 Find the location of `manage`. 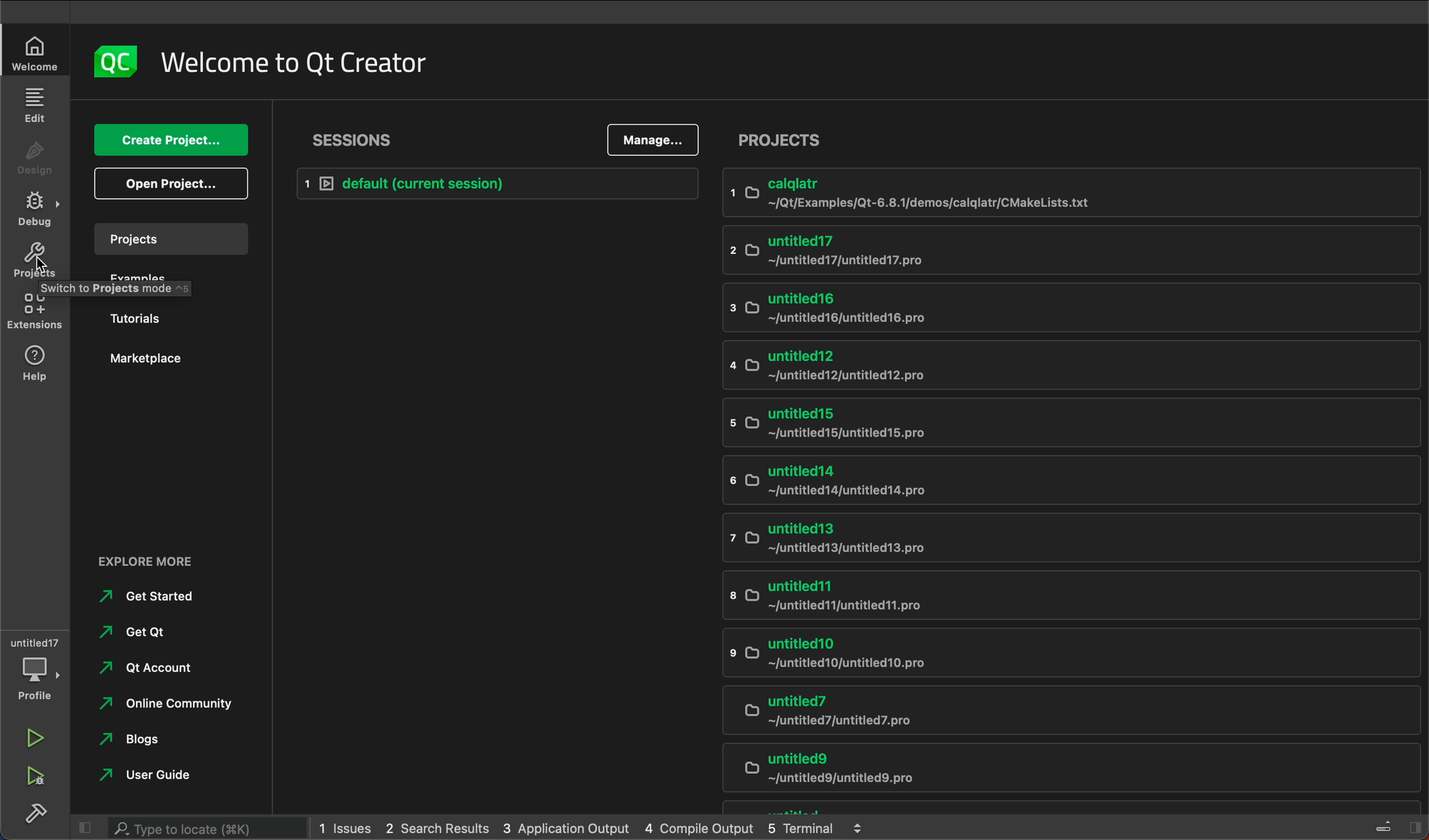

manage is located at coordinates (650, 142).